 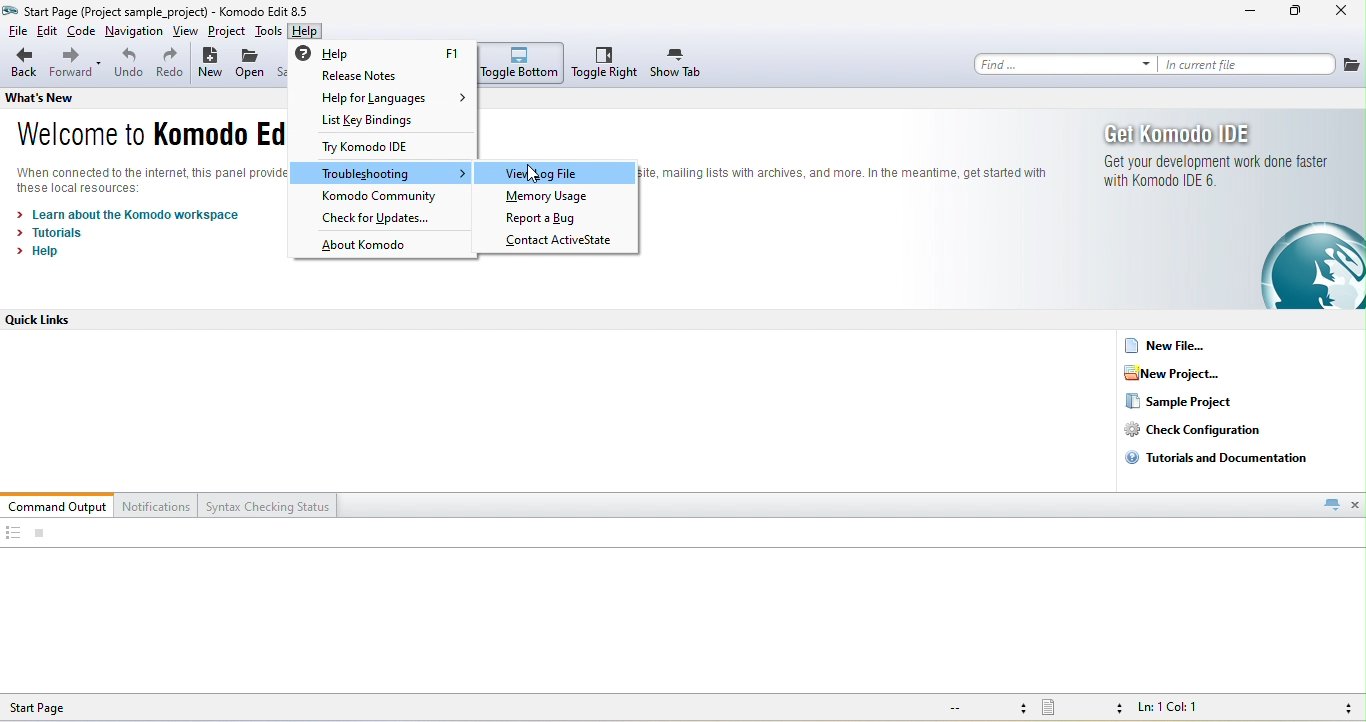 I want to click on file encoding, so click(x=984, y=708).